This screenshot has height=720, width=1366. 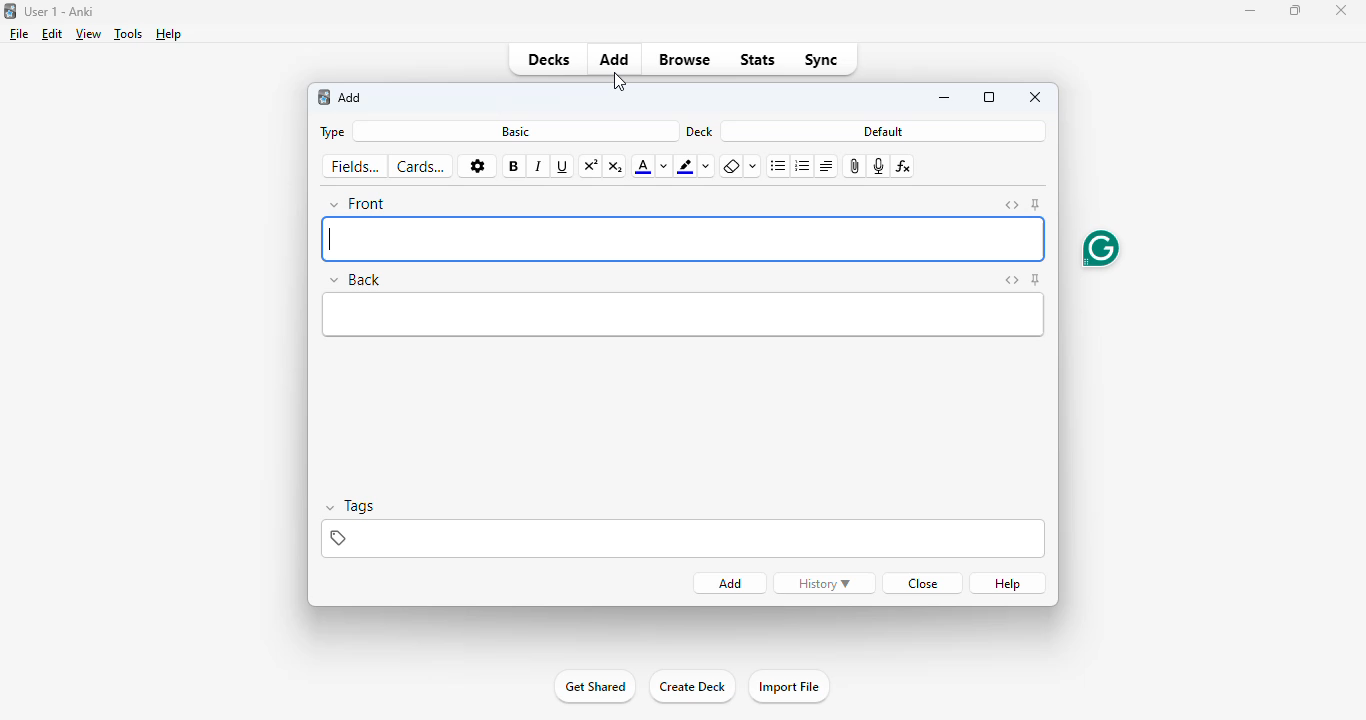 What do you see at coordinates (822, 59) in the screenshot?
I see `sync` at bounding box center [822, 59].